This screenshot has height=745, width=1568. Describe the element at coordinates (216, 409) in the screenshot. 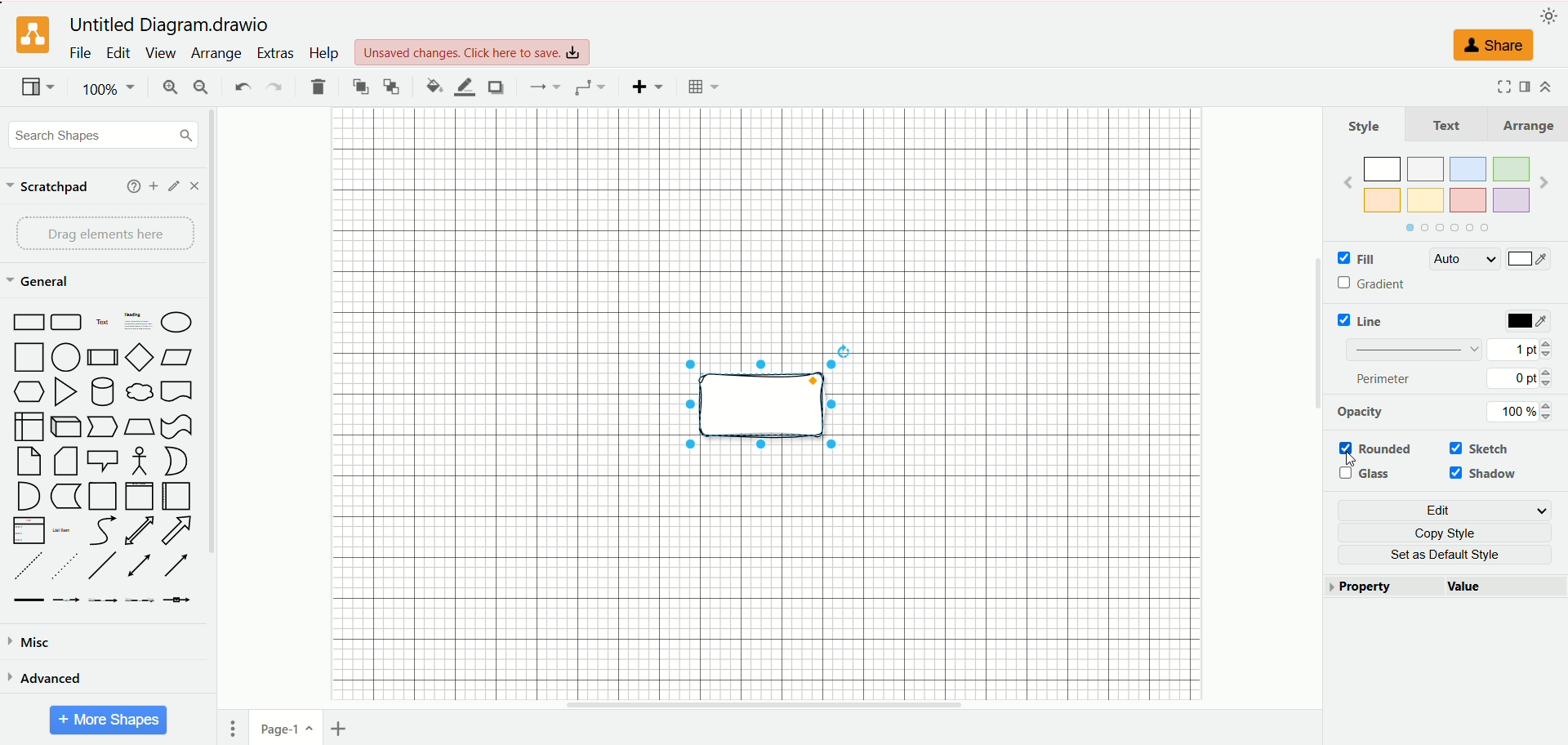

I see `vertical scroll bar` at that location.